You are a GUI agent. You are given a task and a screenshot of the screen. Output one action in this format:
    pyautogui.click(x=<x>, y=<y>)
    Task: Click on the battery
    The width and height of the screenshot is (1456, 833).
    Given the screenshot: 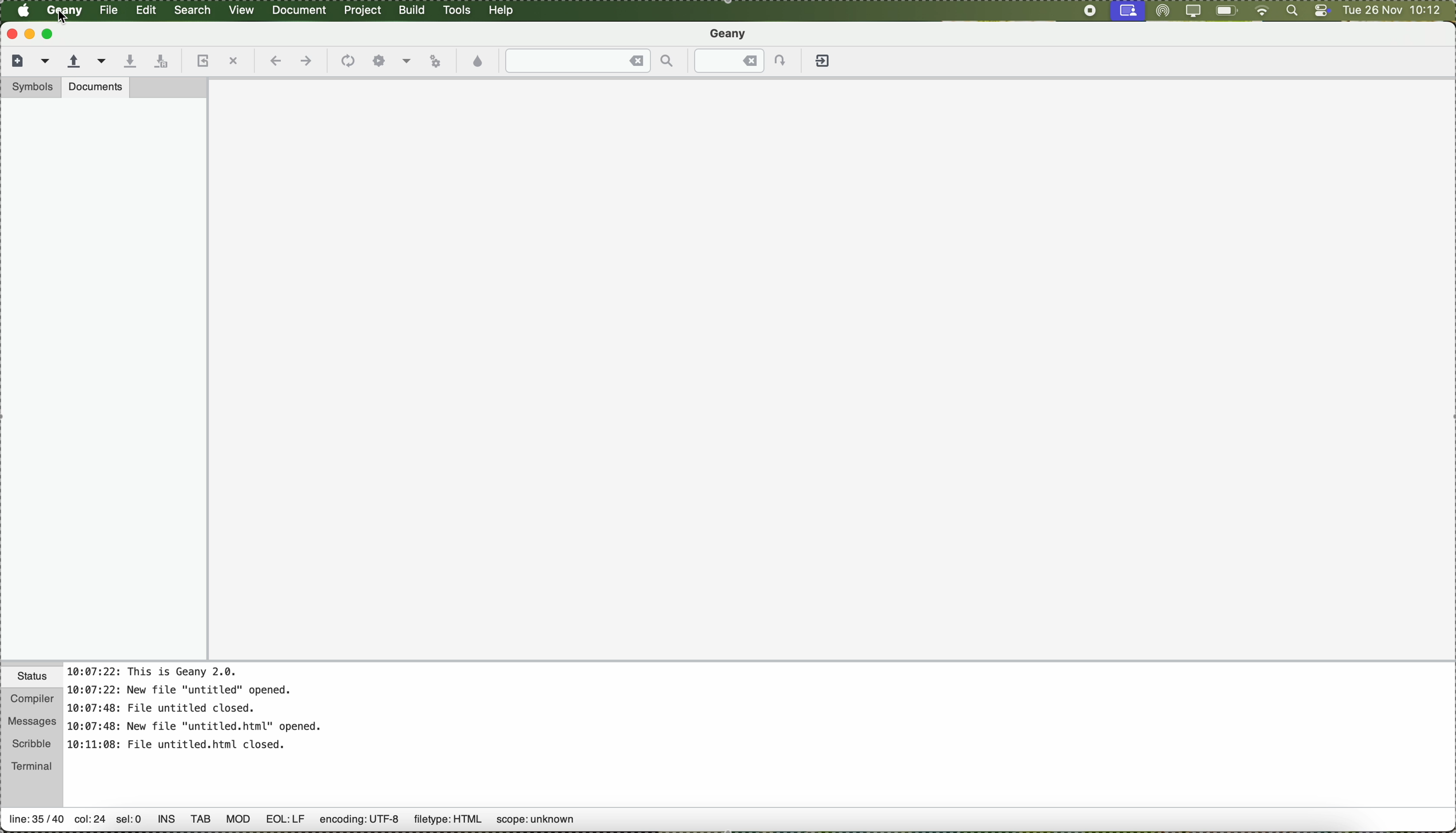 What is the action you would take?
    pyautogui.click(x=1227, y=11)
    